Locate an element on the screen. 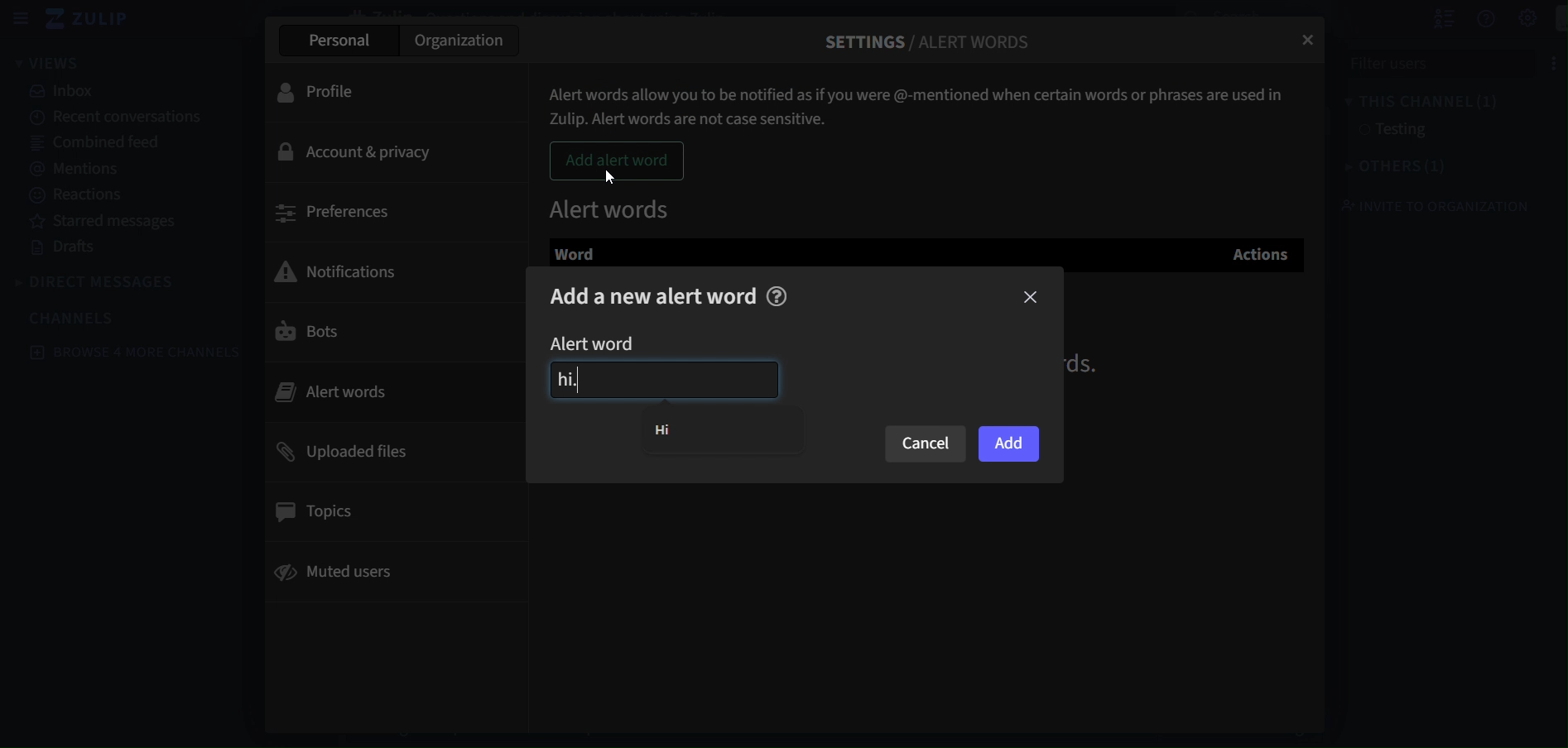 This screenshot has width=1568, height=748. personal is located at coordinates (336, 39).